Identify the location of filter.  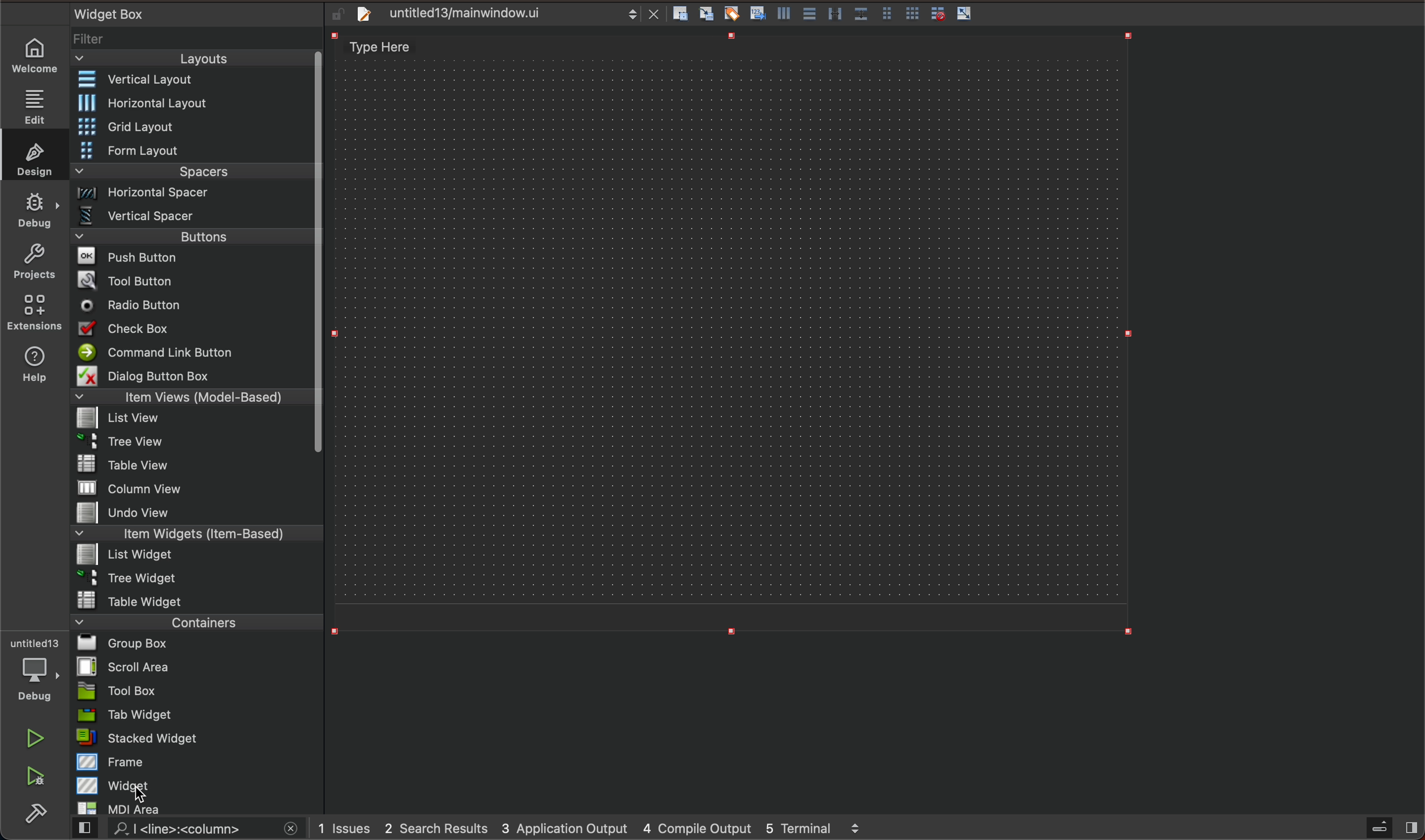
(196, 39).